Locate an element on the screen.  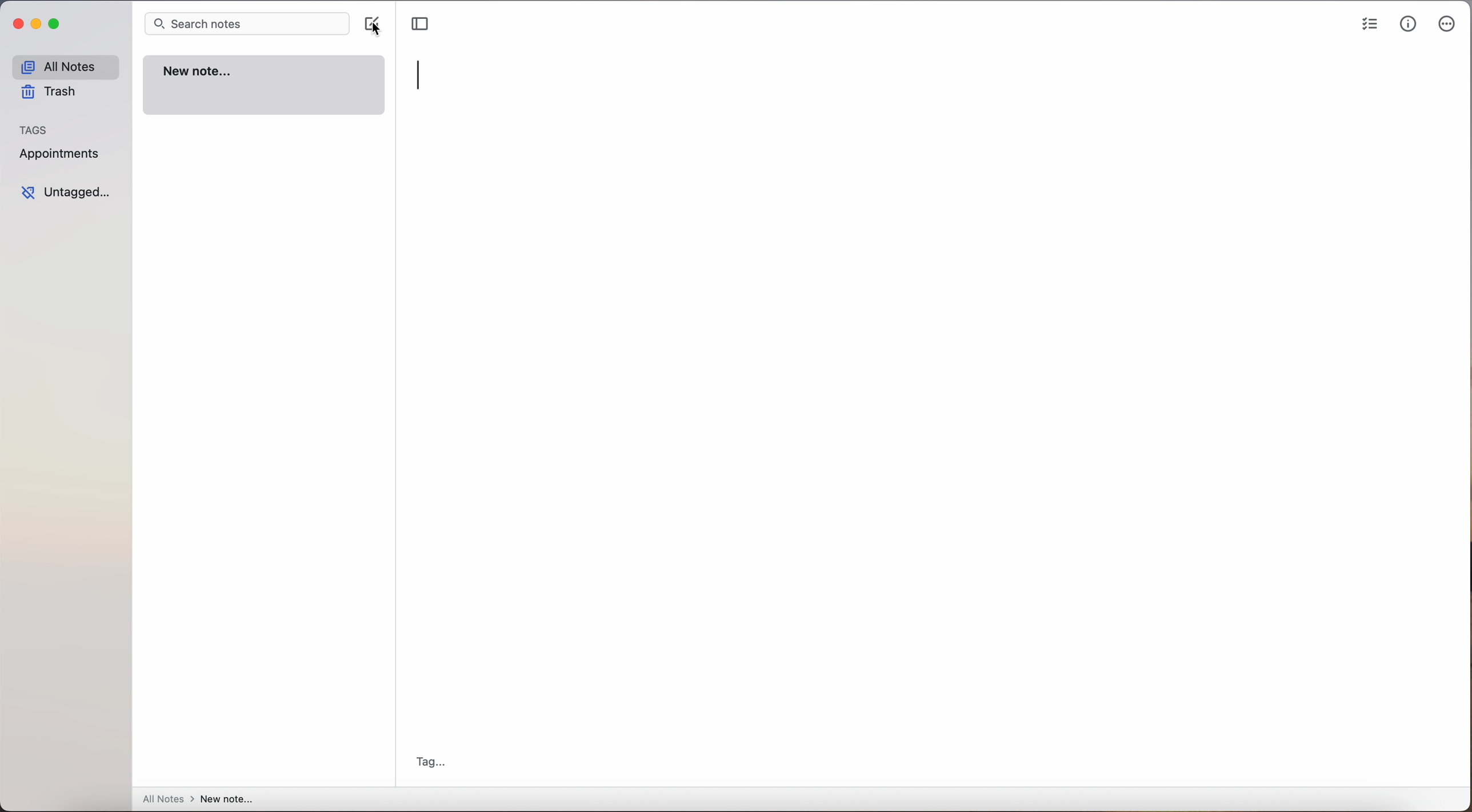
search bar is located at coordinates (246, 24).